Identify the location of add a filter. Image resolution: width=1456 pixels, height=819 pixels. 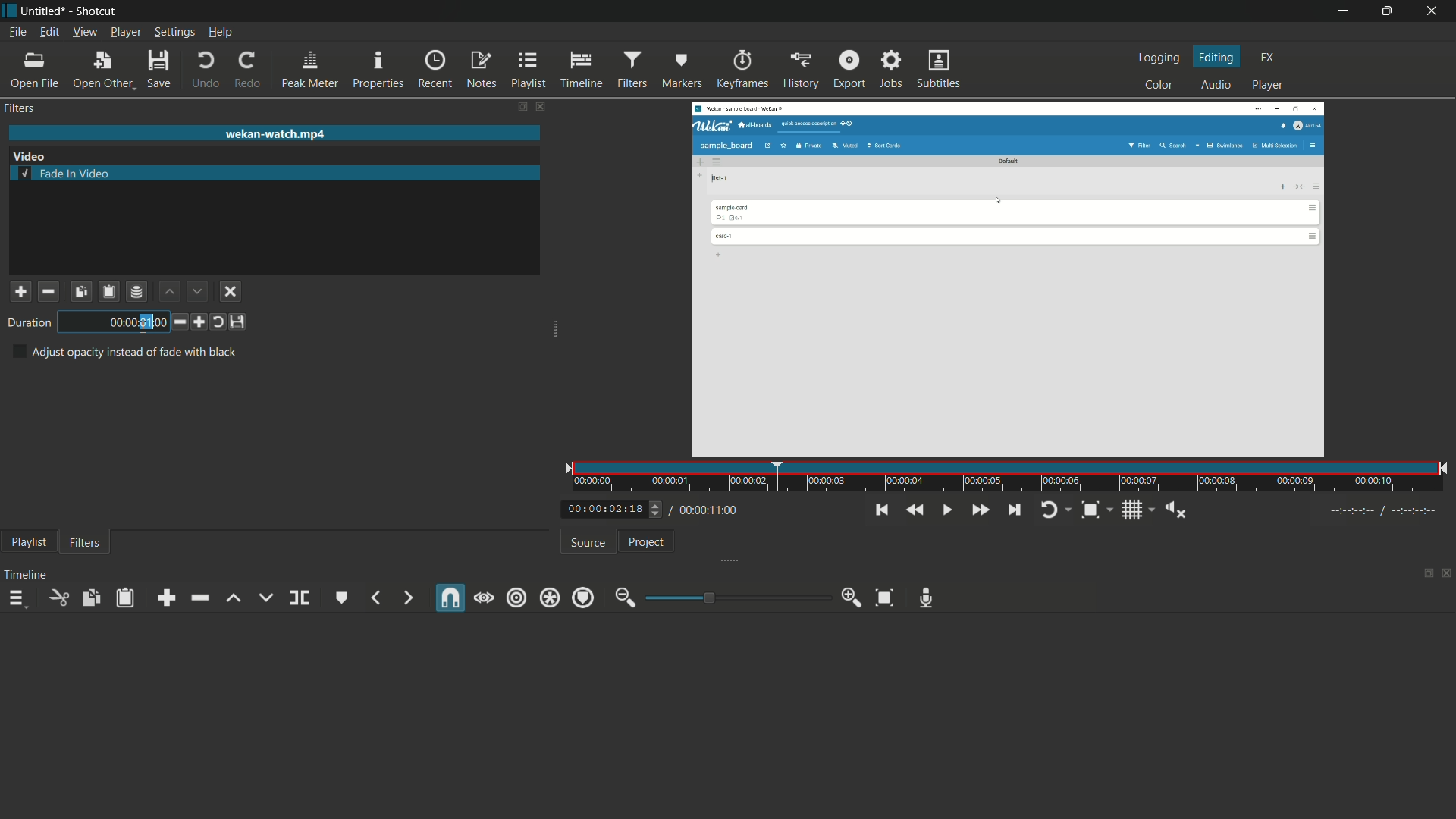
(20, 291).